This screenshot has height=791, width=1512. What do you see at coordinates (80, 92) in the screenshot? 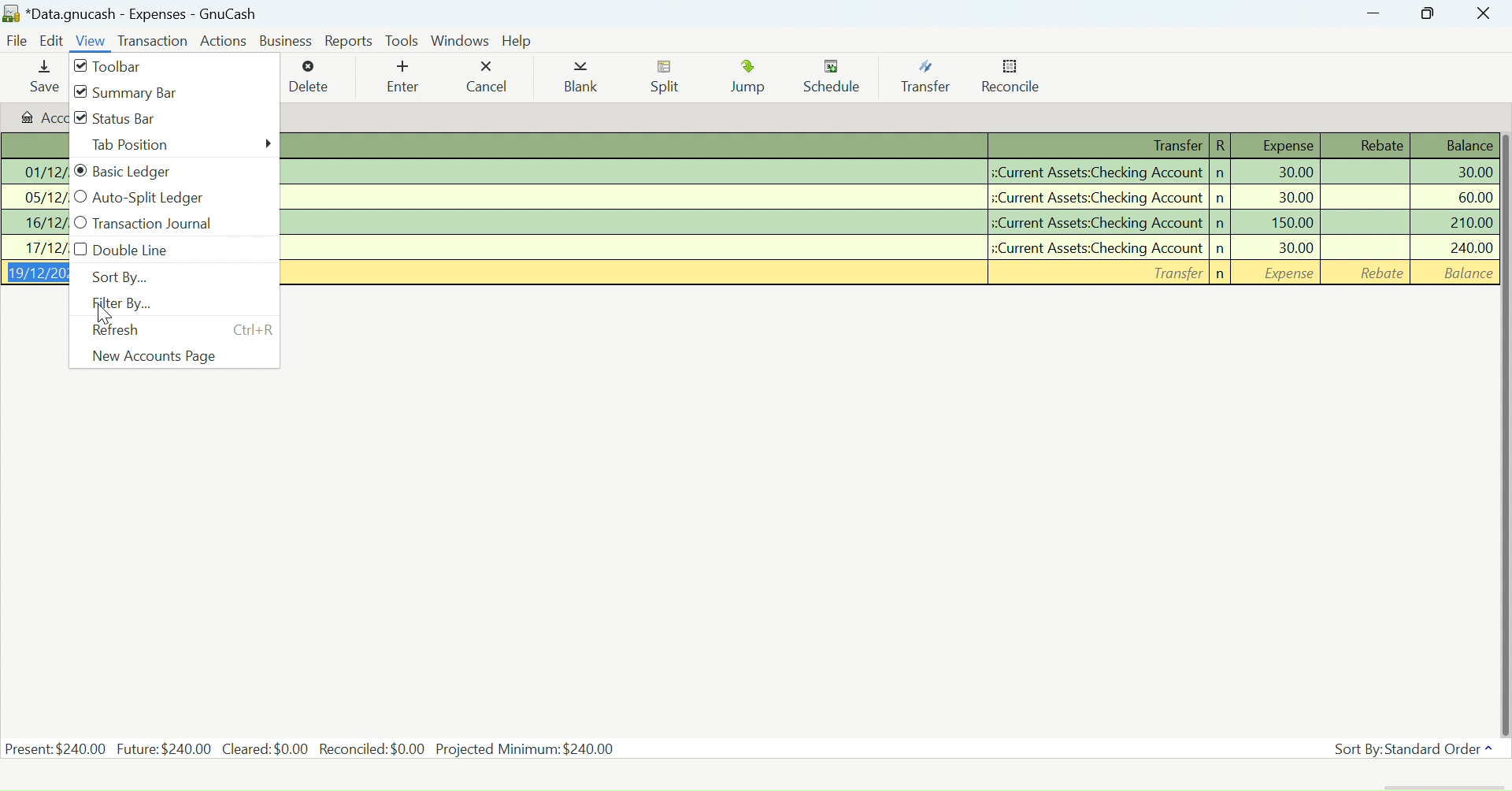
I see `Checkbox` at bounding box center [80, 92].